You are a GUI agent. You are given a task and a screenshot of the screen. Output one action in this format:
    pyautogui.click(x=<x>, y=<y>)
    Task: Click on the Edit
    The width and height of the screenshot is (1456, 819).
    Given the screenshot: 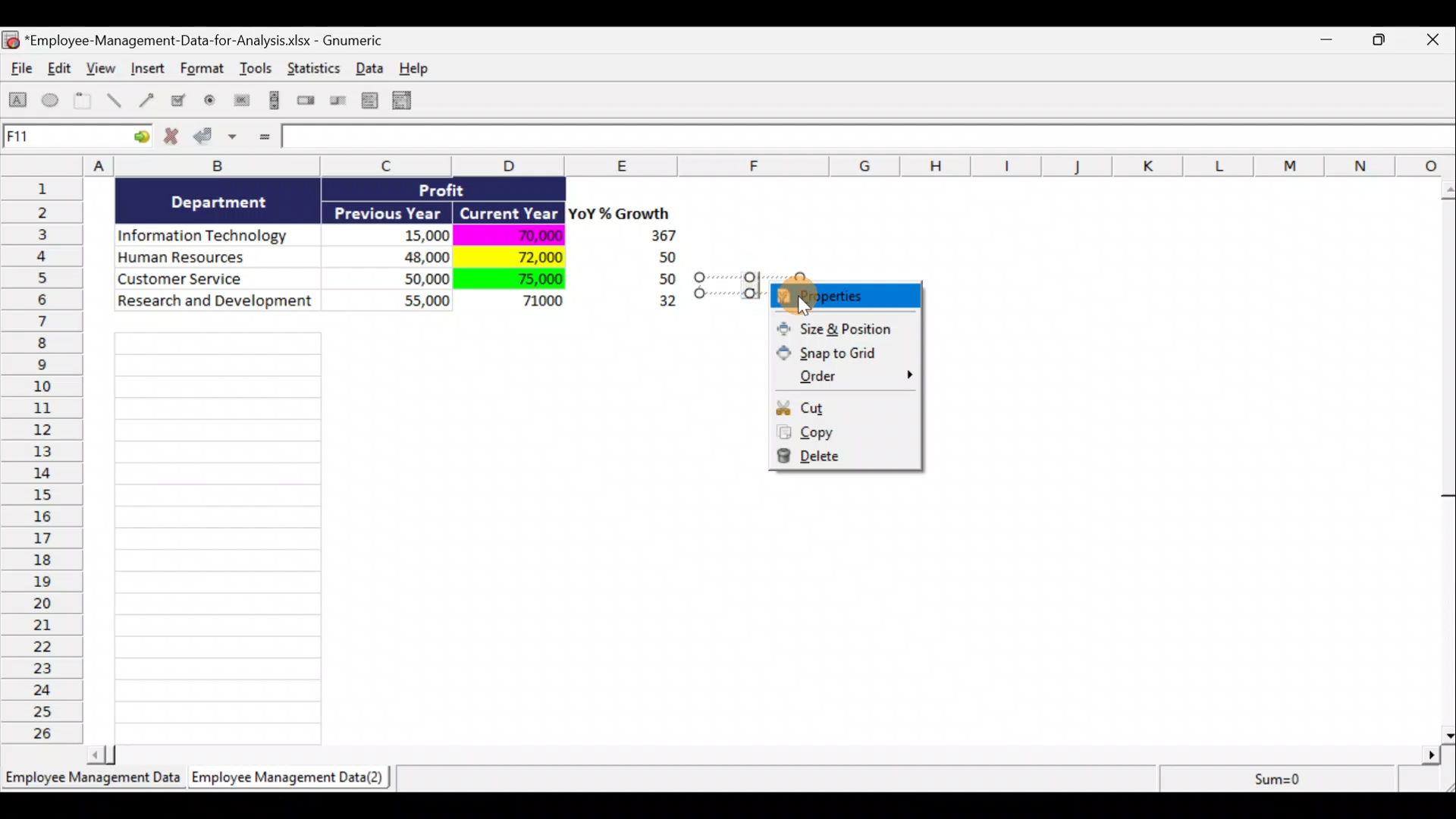 What is the action you would take?
    pyautogui.click(x=61, y=70)
    